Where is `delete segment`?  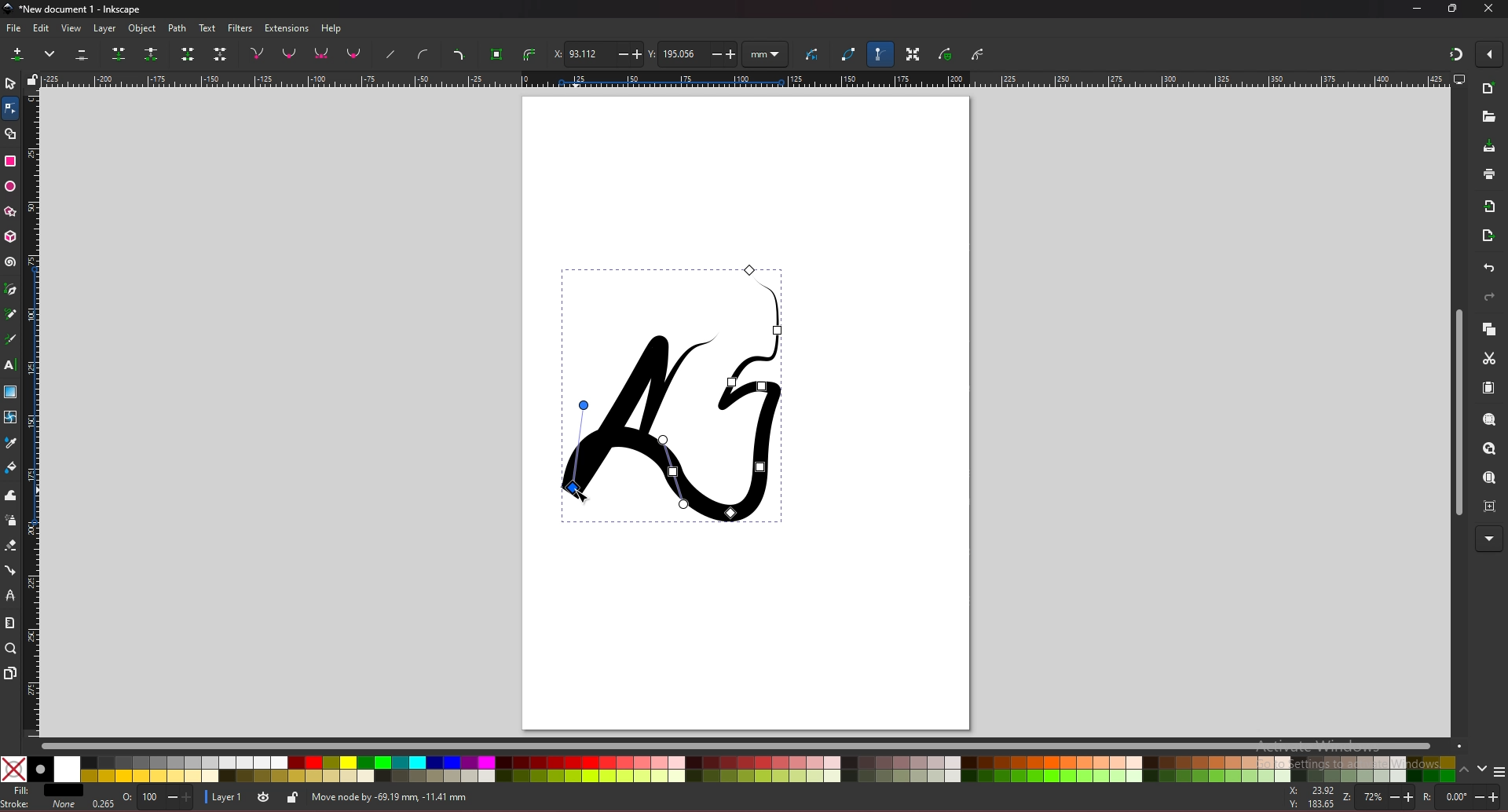 delete segment is located at coordinates (221, 53).